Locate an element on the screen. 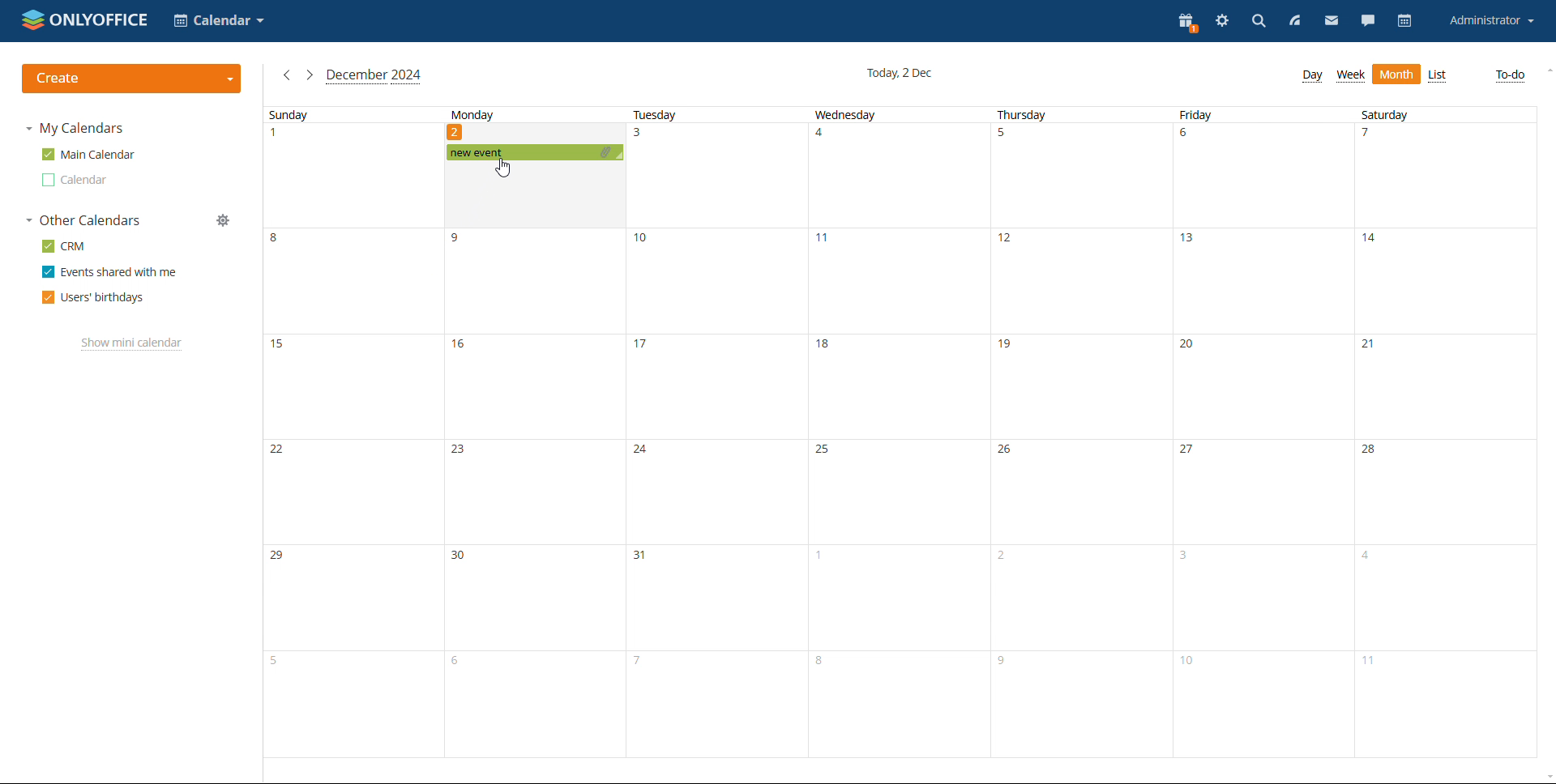  previous month is located at coordinates (287, 75).